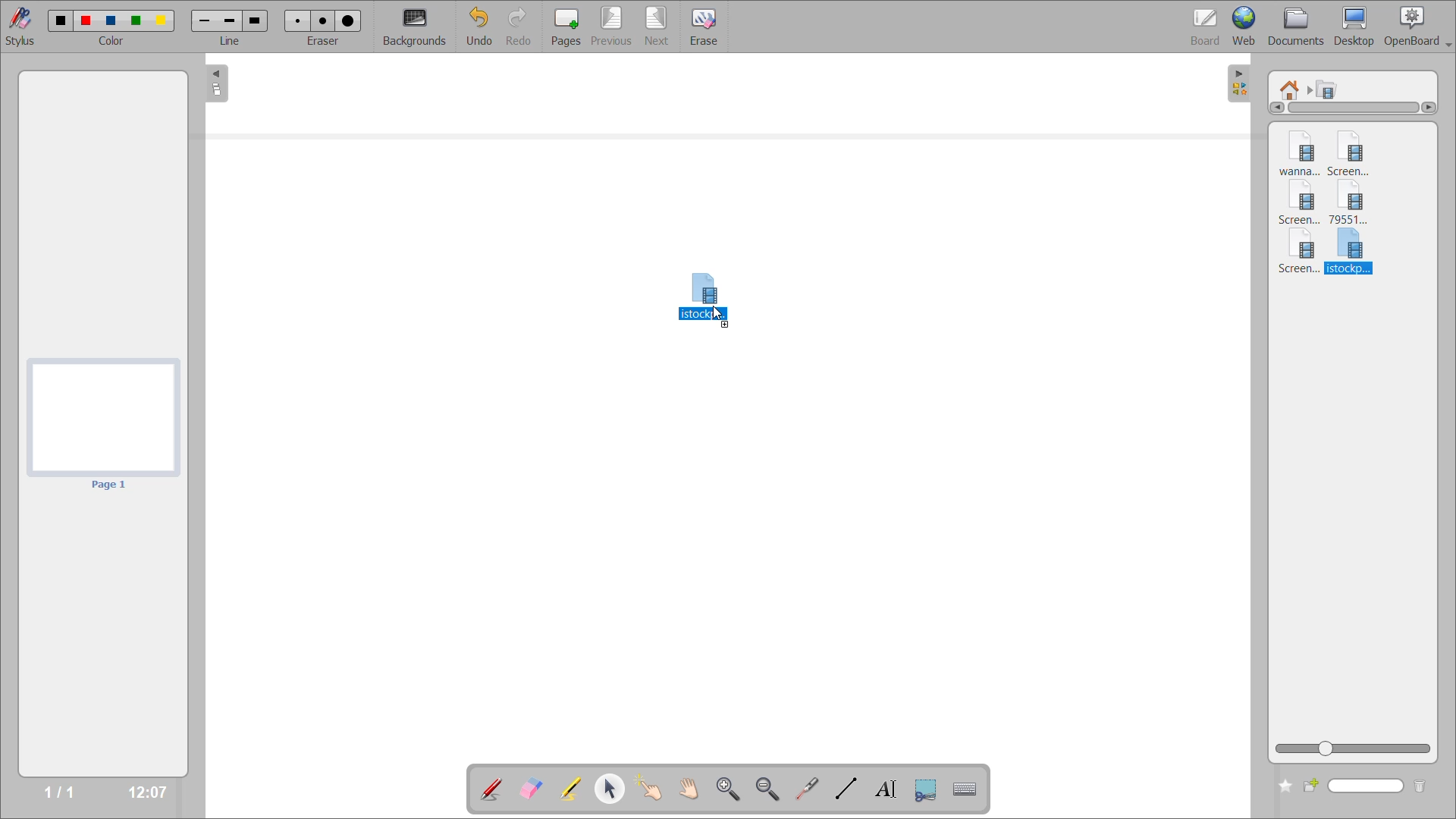 The width and height of the screenshot is (1456, 819). I want to click on erase, so click(705, 28).